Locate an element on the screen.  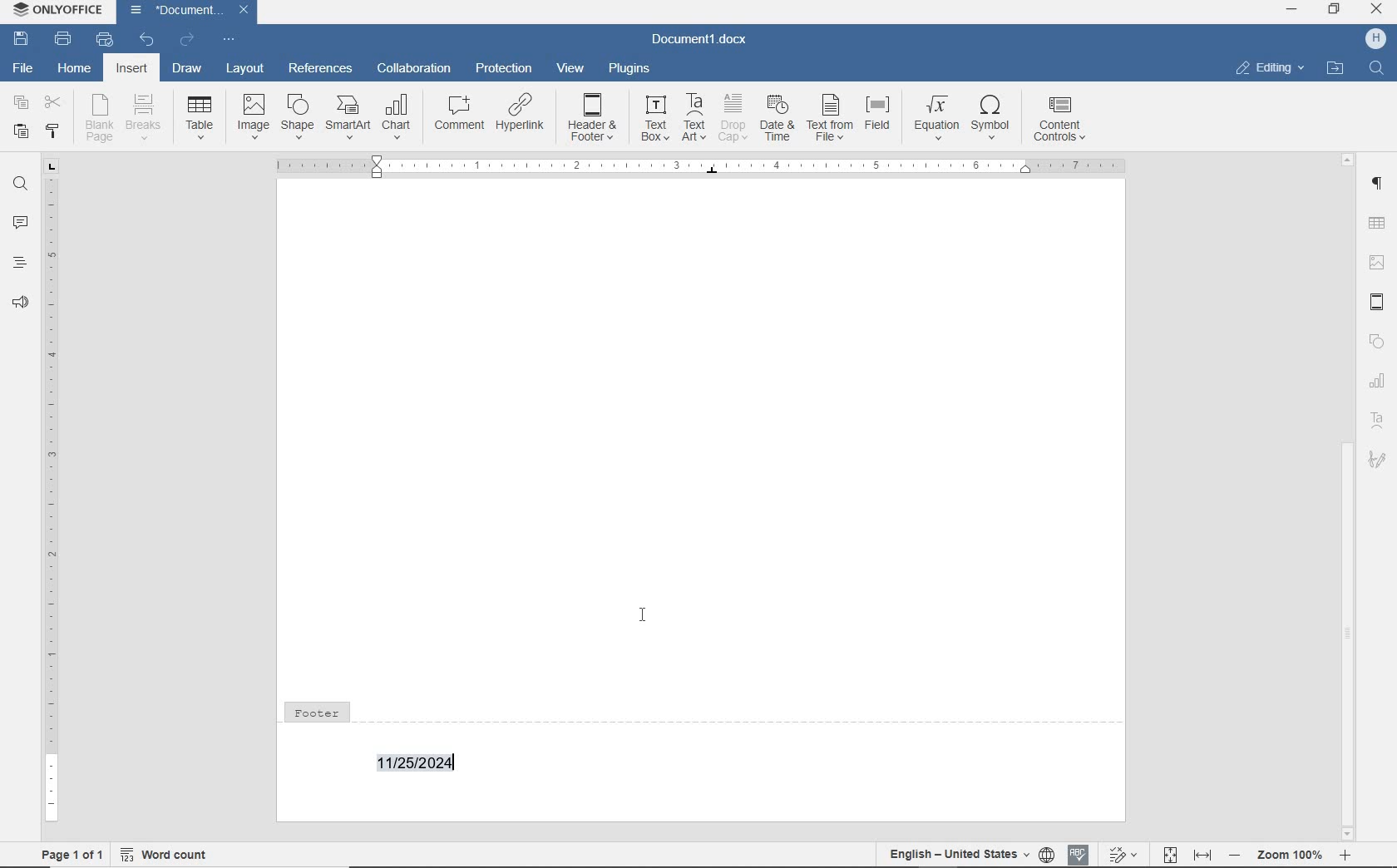
table is located at coordinates (201, 115).